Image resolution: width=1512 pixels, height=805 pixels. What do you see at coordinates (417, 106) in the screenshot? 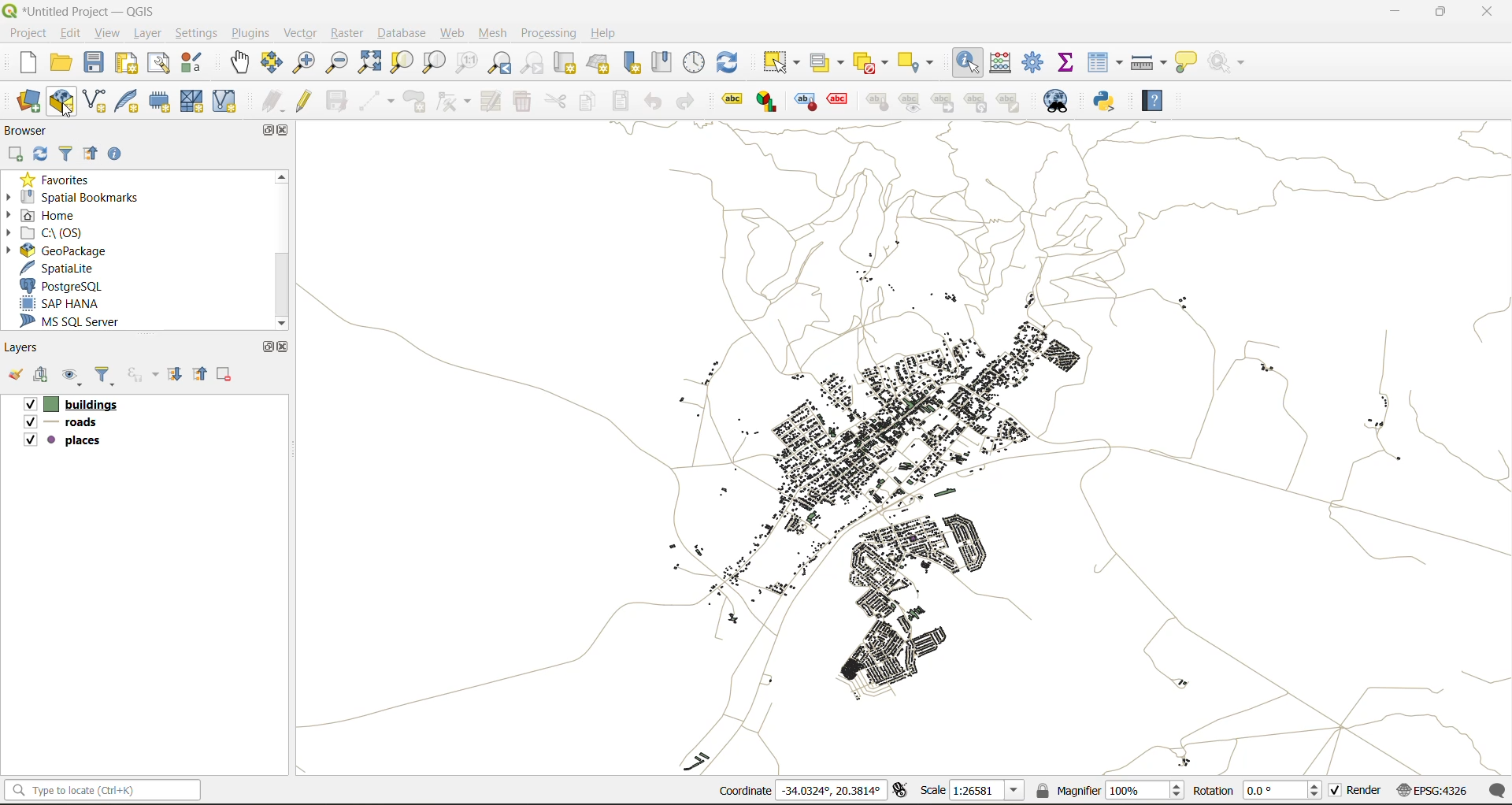
I see `add polygon` at bounding box center [417, 106].